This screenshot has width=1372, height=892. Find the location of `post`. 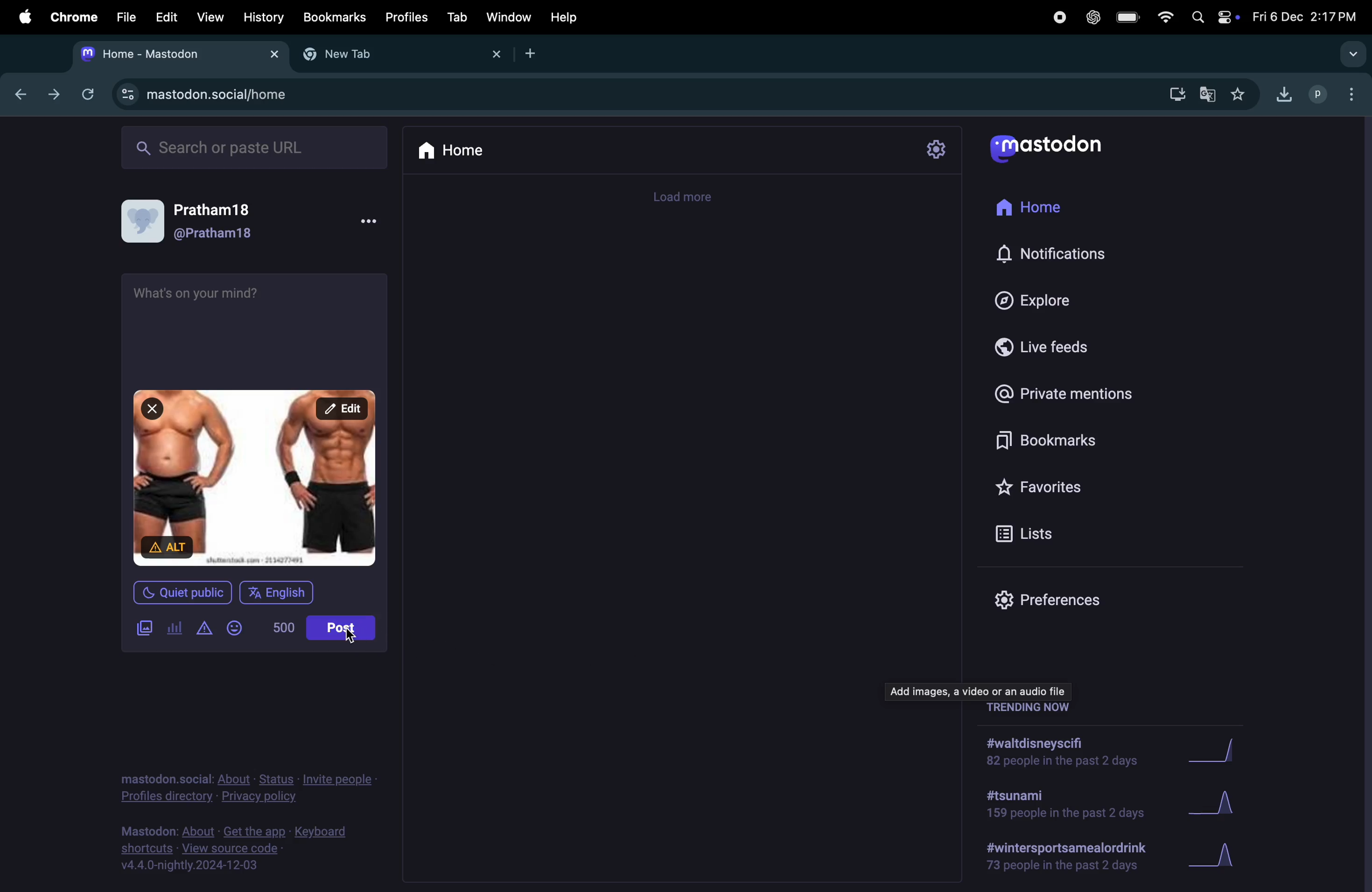

post is located at coordinates (346, 630).